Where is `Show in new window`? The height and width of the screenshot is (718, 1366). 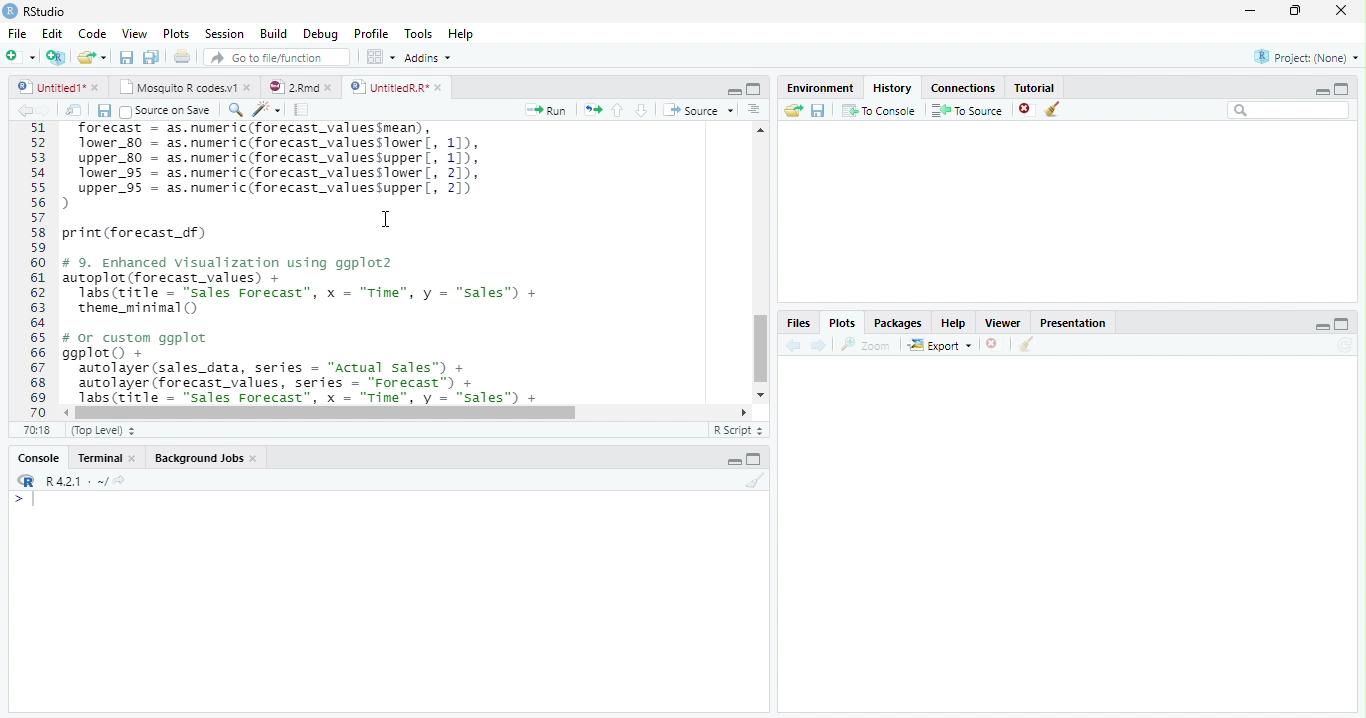 Show in new window is located at coordinates (74, 110).